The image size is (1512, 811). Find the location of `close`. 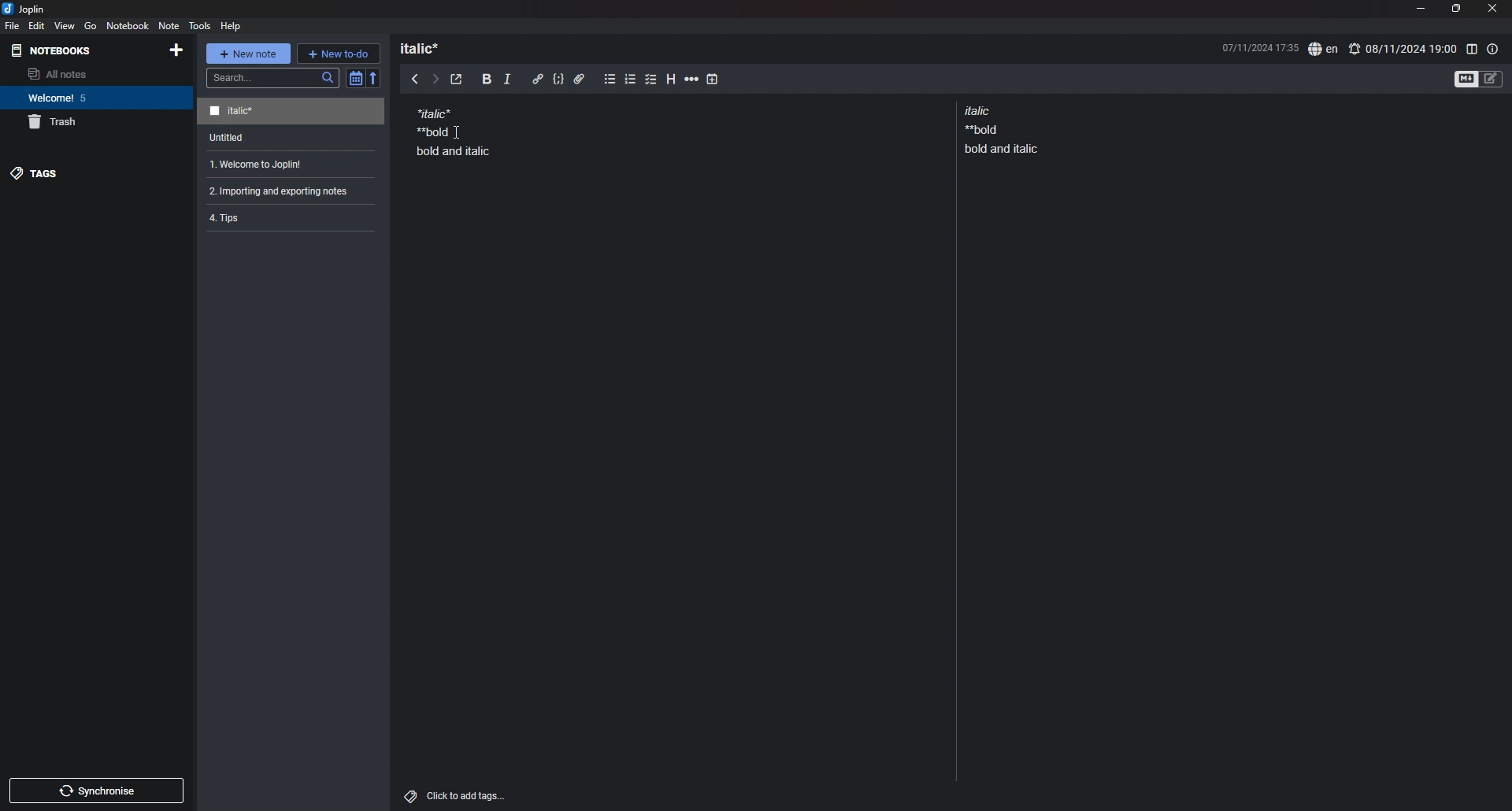

close is located at coordinates (1494, 8).